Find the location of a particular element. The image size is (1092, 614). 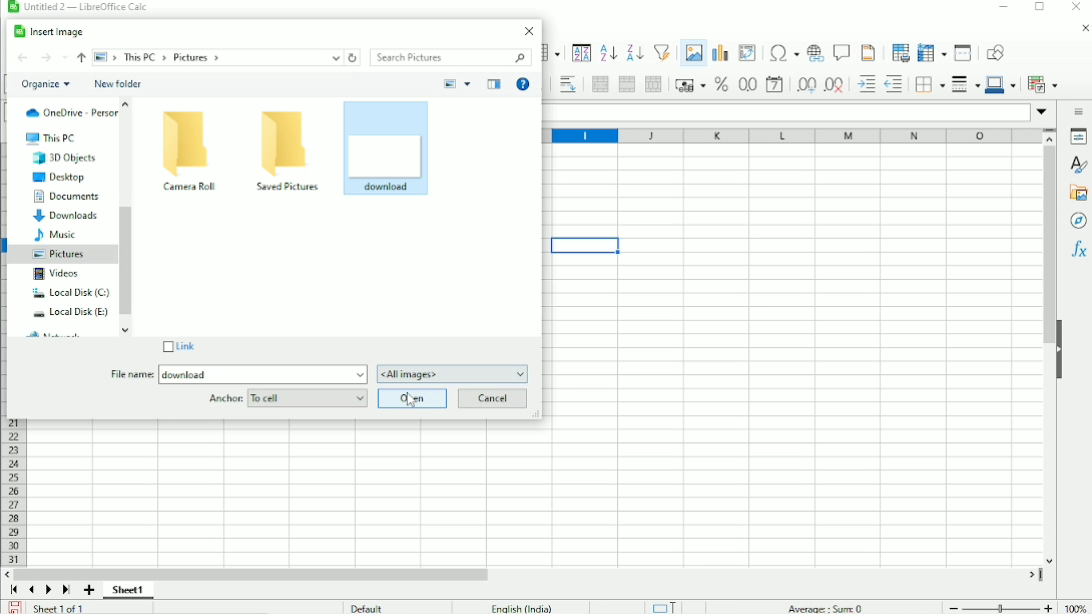

Styles is located at coordinates (1077, 165).